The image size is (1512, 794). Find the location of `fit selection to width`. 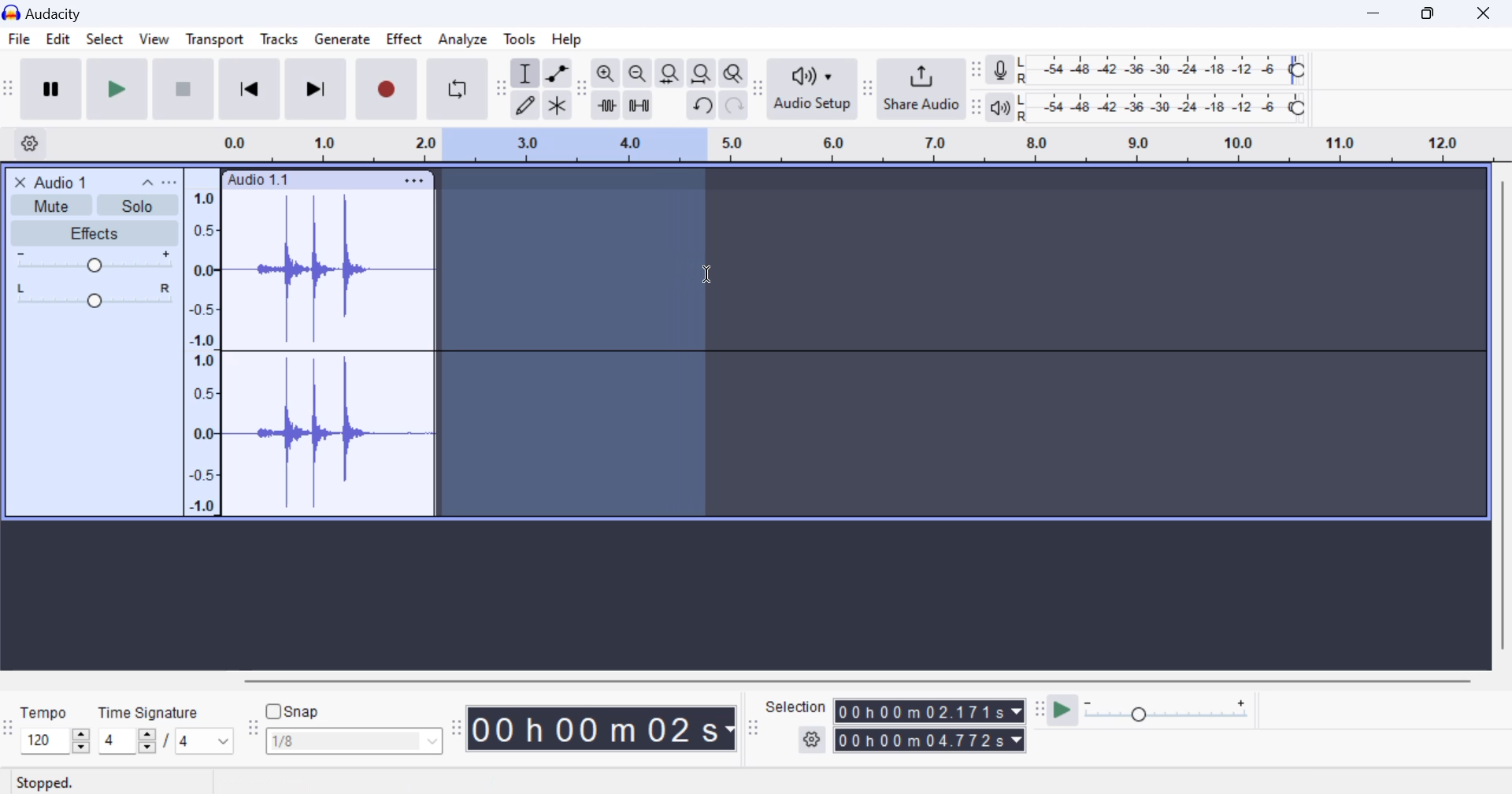

fit selection to width is located at coordinates (668, 75).